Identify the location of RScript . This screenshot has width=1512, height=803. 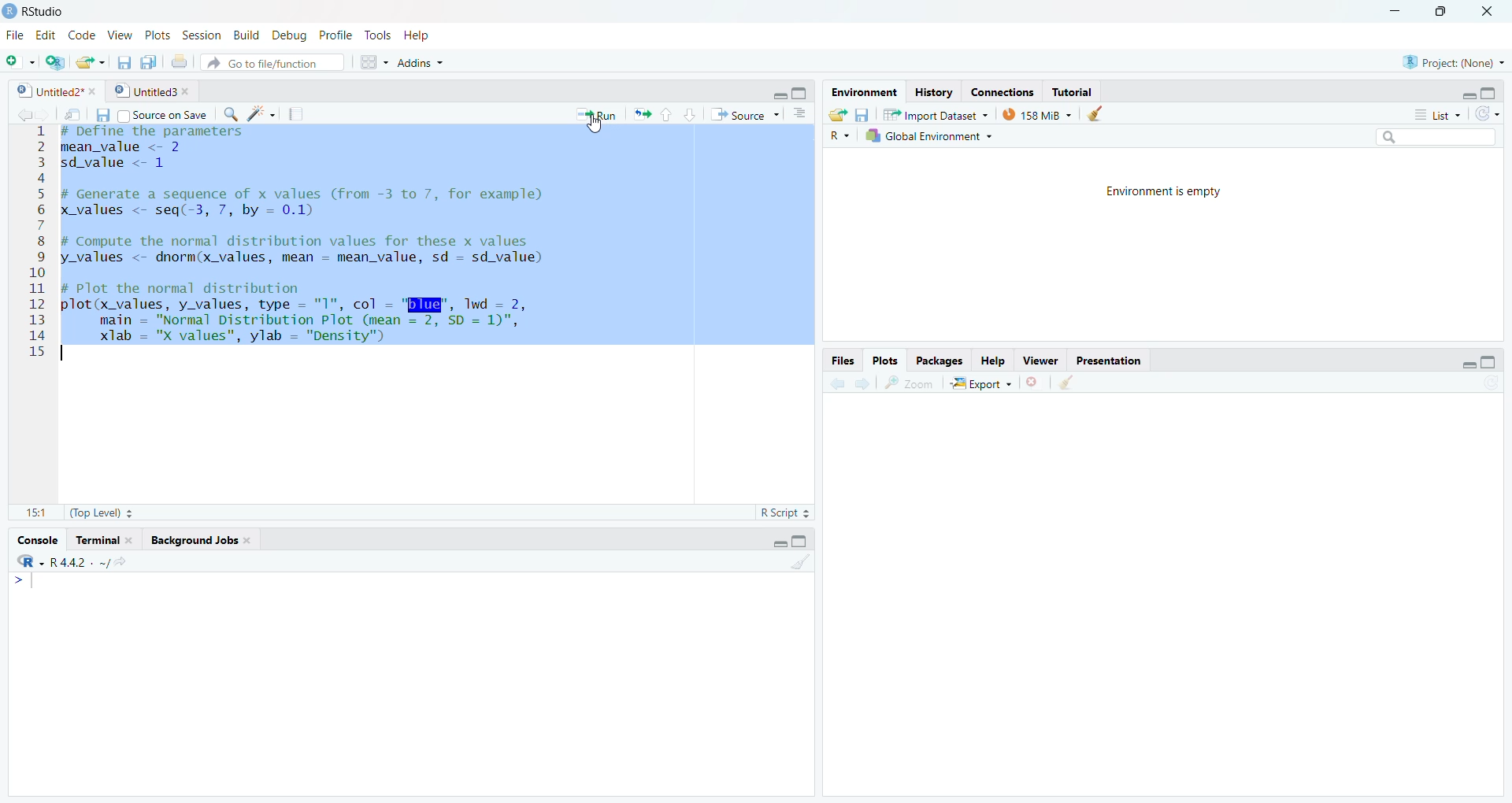
(783, 510).